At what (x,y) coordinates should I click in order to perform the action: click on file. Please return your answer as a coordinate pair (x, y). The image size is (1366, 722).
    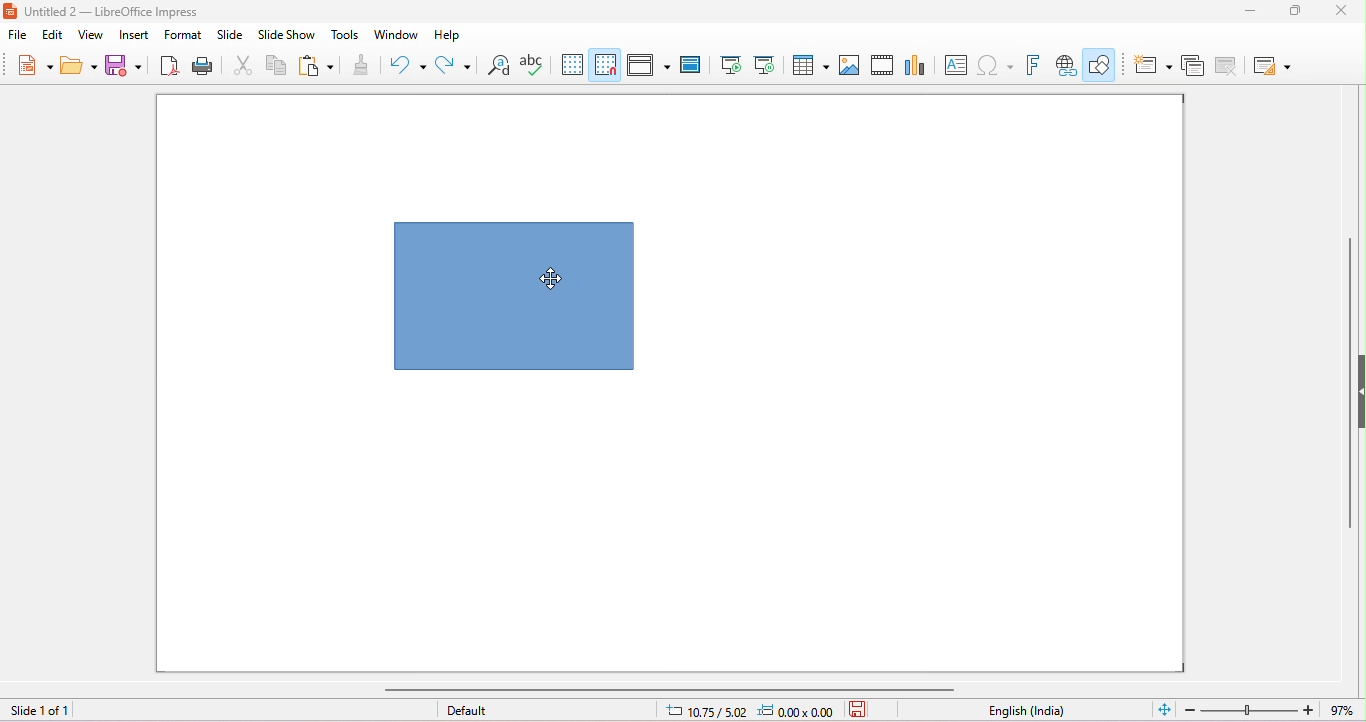
    Looking at the image, I should click on (17, 35).